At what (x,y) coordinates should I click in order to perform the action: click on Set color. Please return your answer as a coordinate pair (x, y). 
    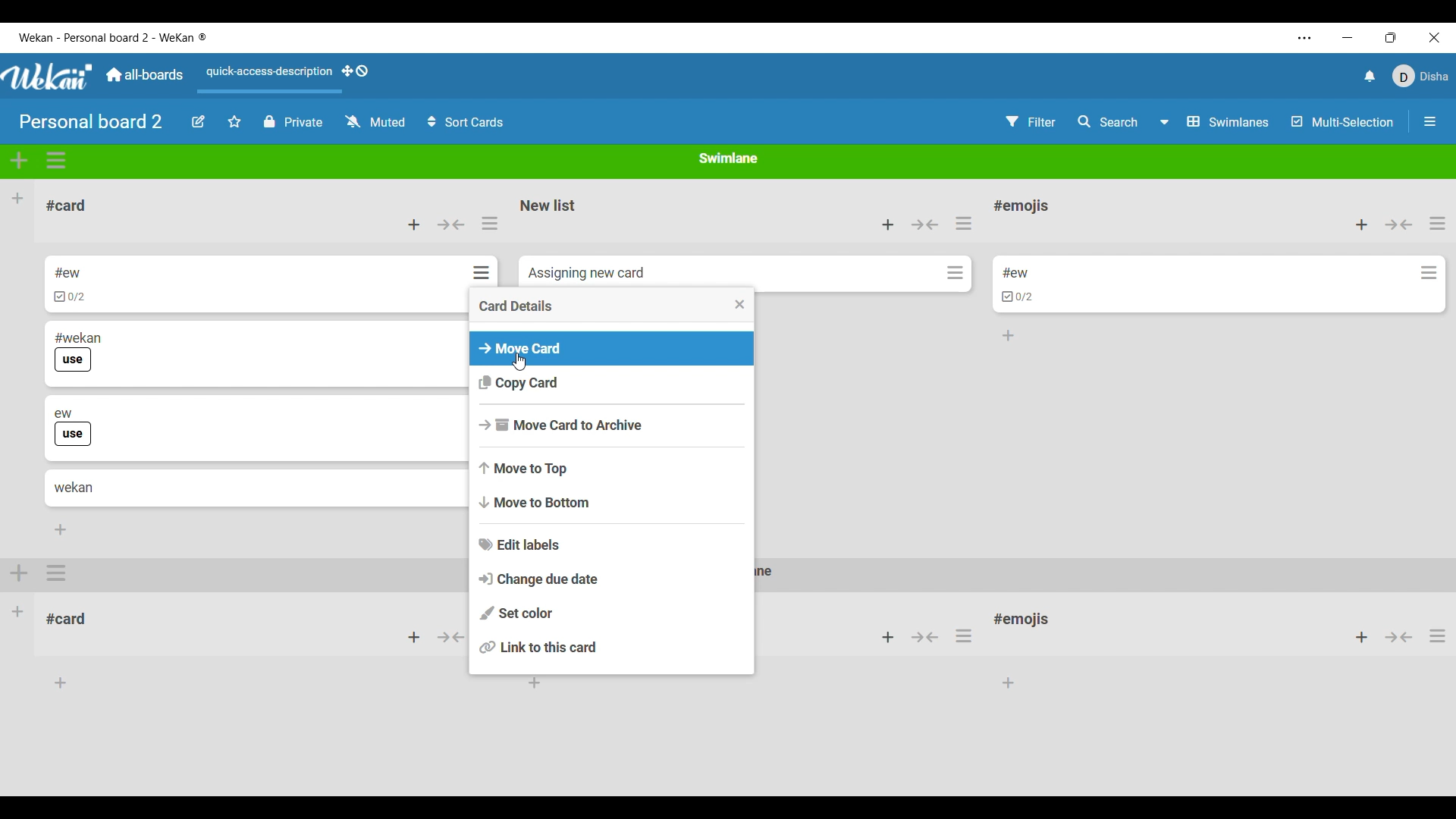
    Looking at the image, I should click on (612, 613).